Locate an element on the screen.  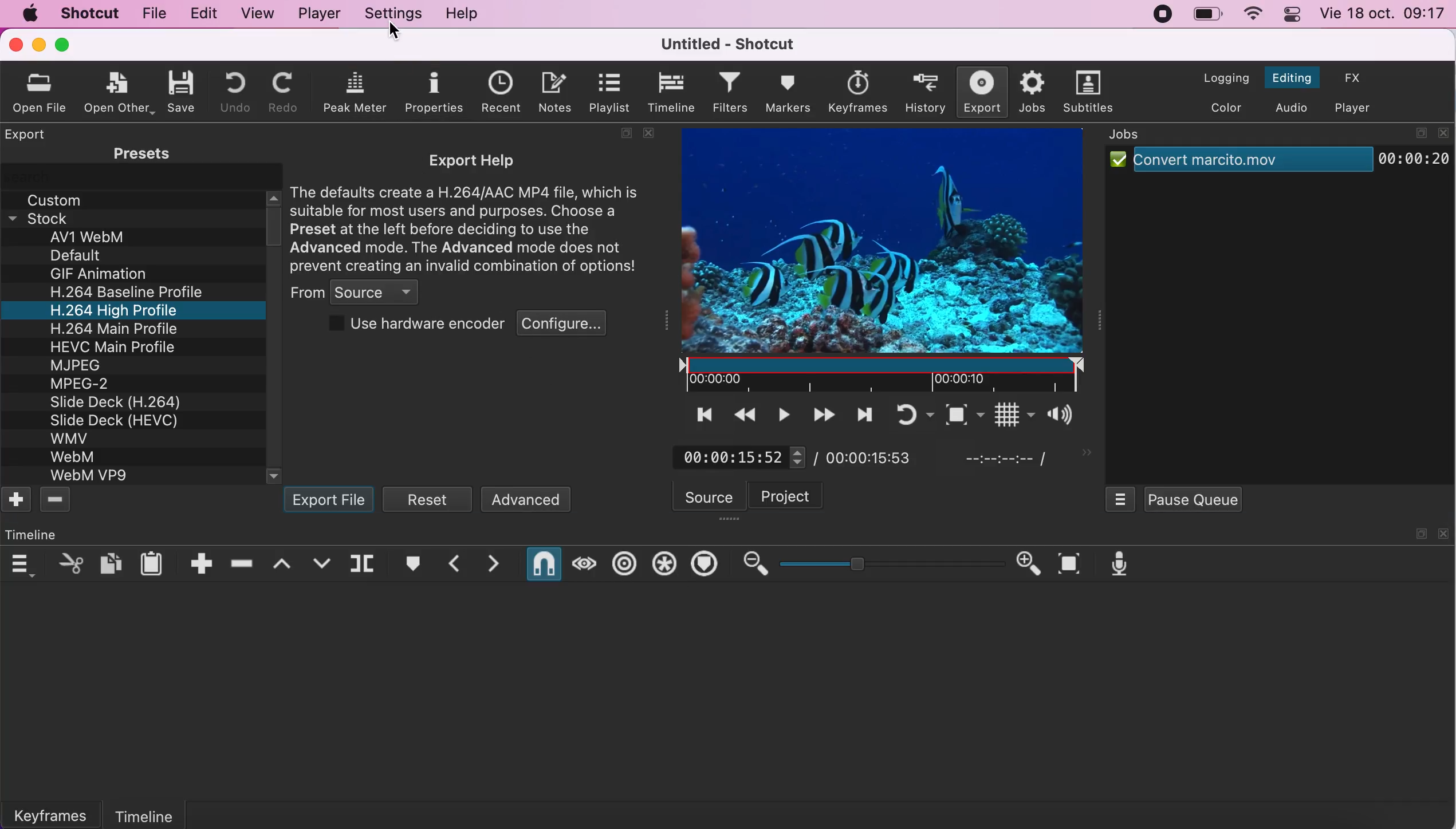
cut is located at coordinates (66, 564).